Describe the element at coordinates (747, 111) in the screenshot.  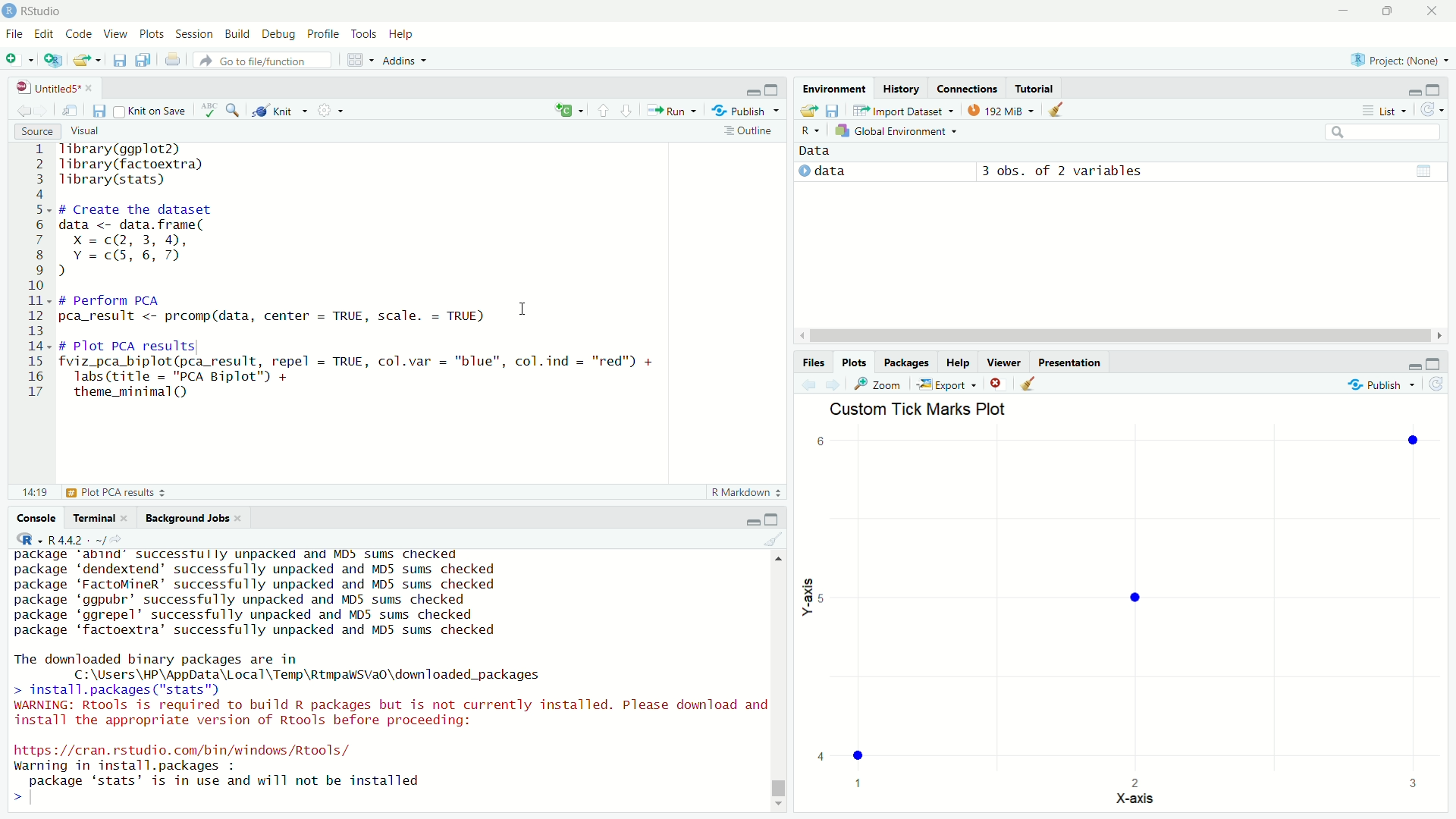
I see `publish` at that location.